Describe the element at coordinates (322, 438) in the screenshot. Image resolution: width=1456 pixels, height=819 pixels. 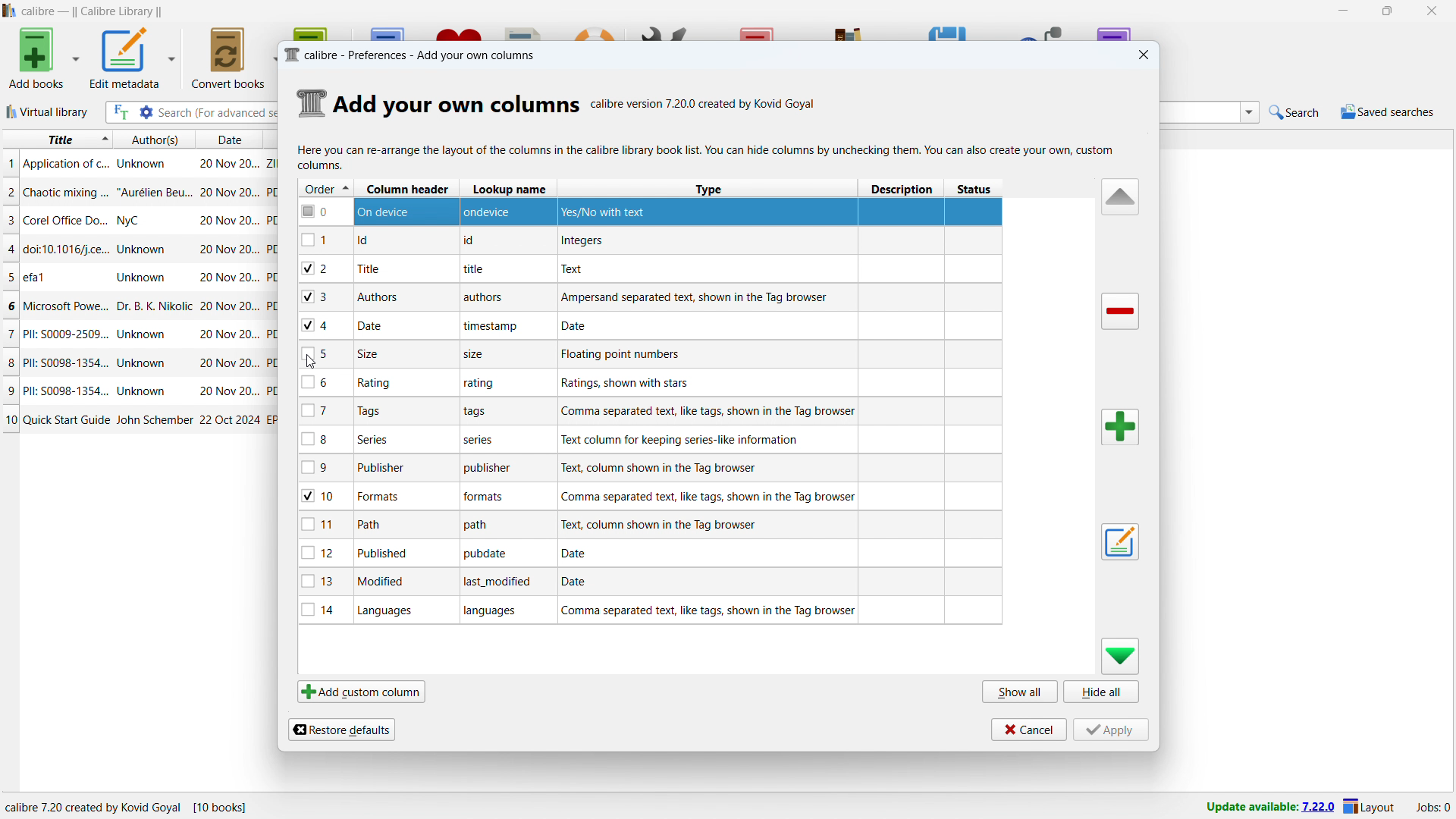
I see `8` at that location.